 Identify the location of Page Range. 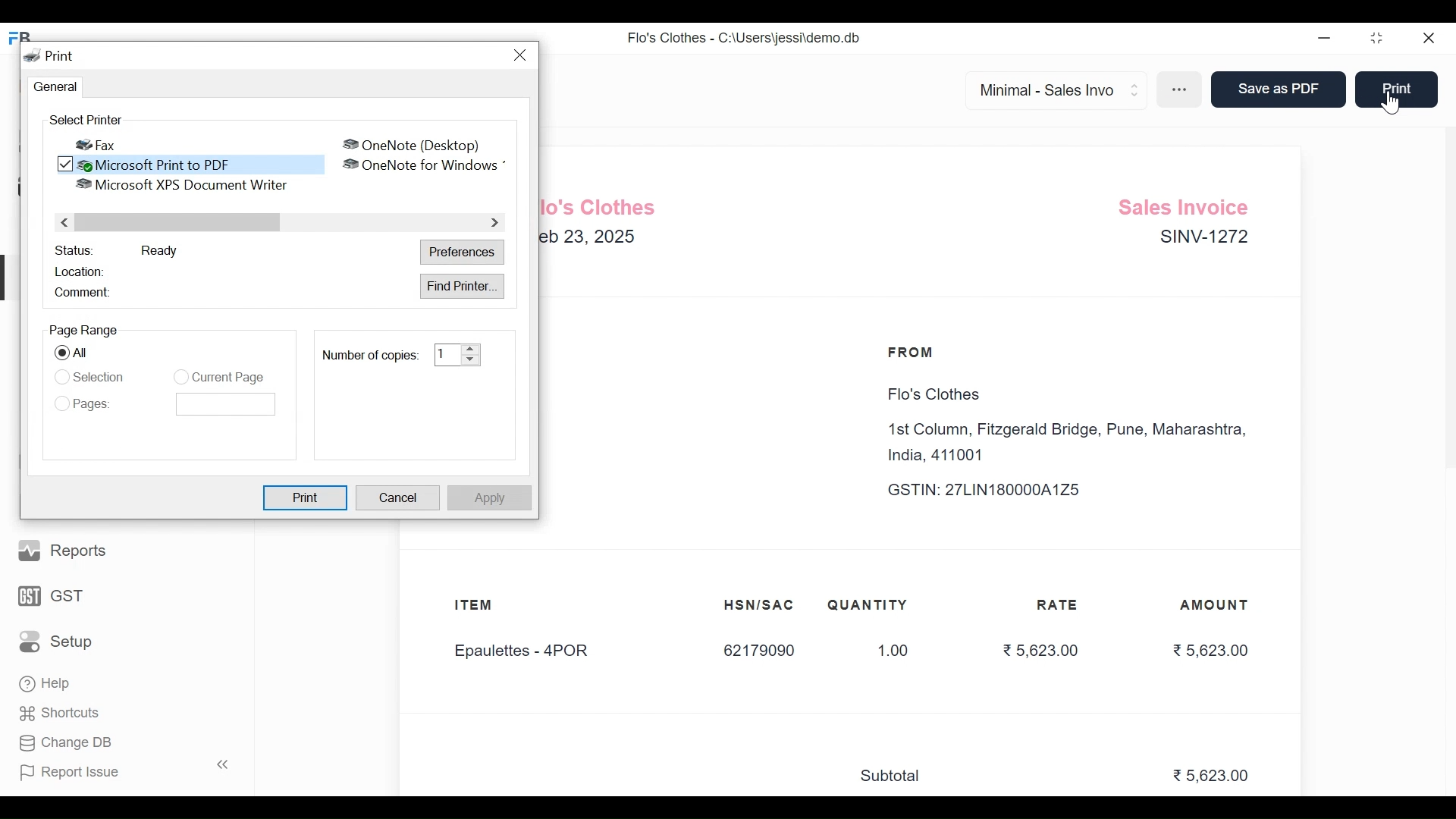
(83, 330).